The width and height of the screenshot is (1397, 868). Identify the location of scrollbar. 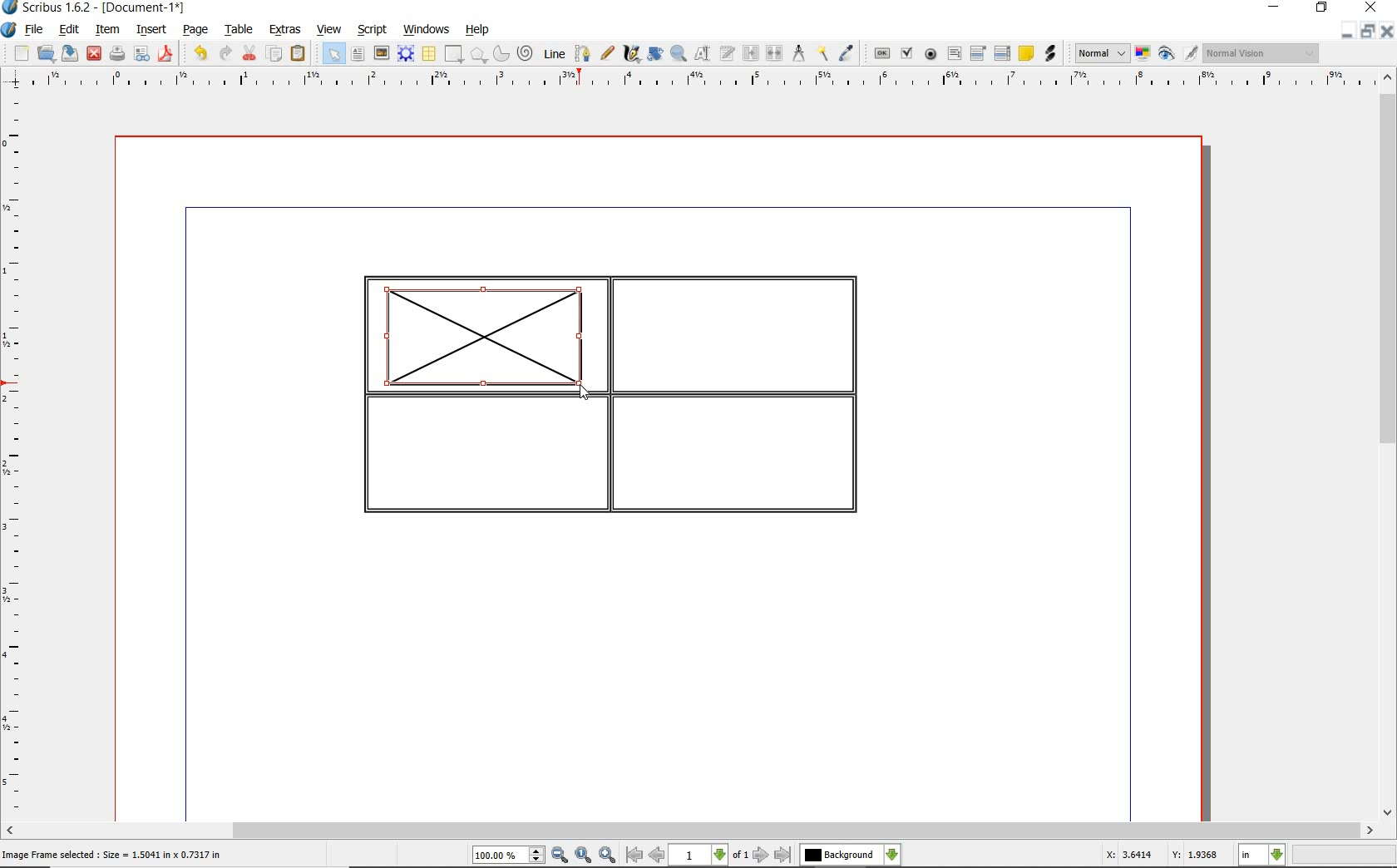
(1387, 446).